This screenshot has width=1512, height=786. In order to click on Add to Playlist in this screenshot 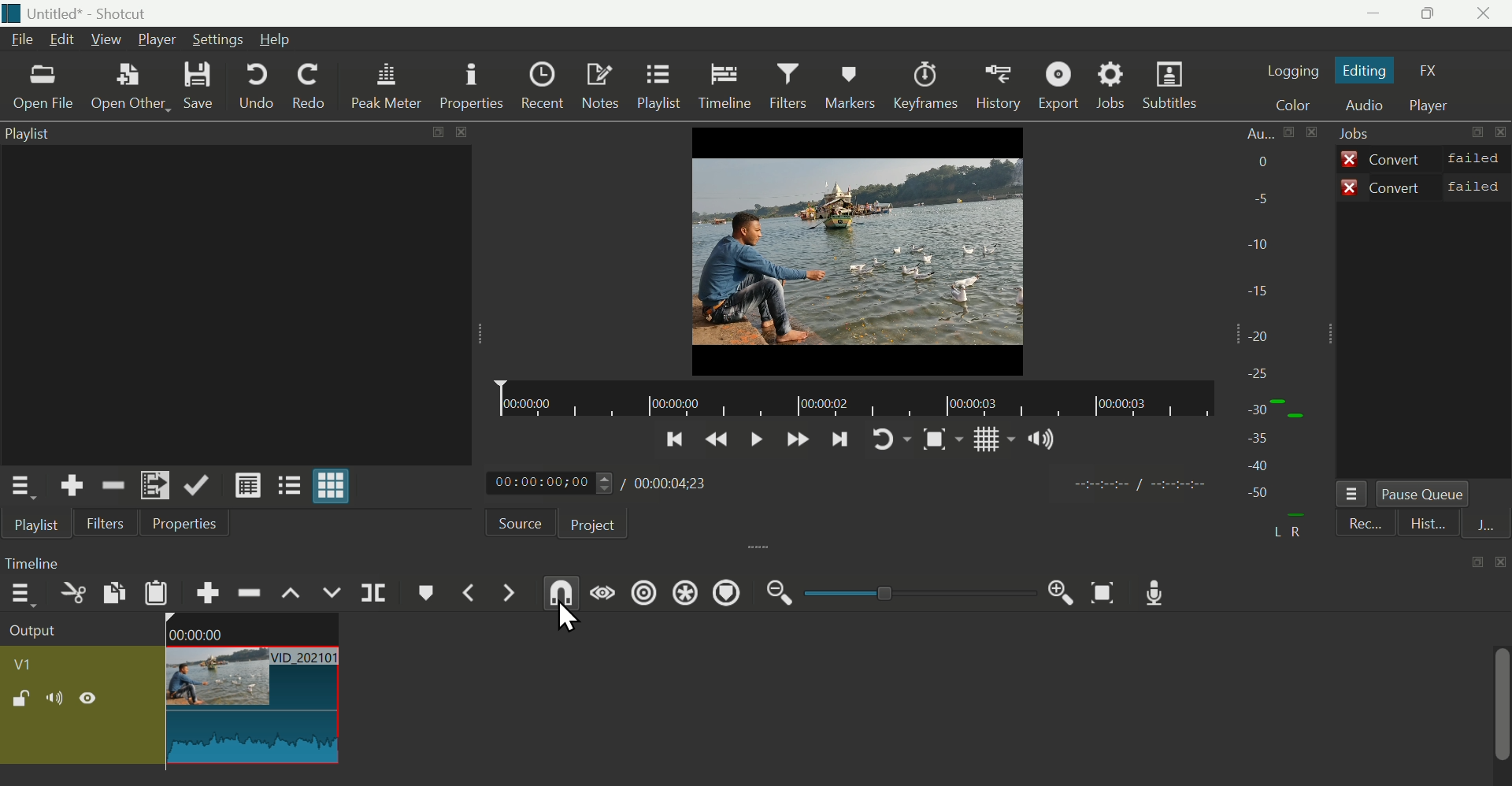, I will do `click(155, 485)`.